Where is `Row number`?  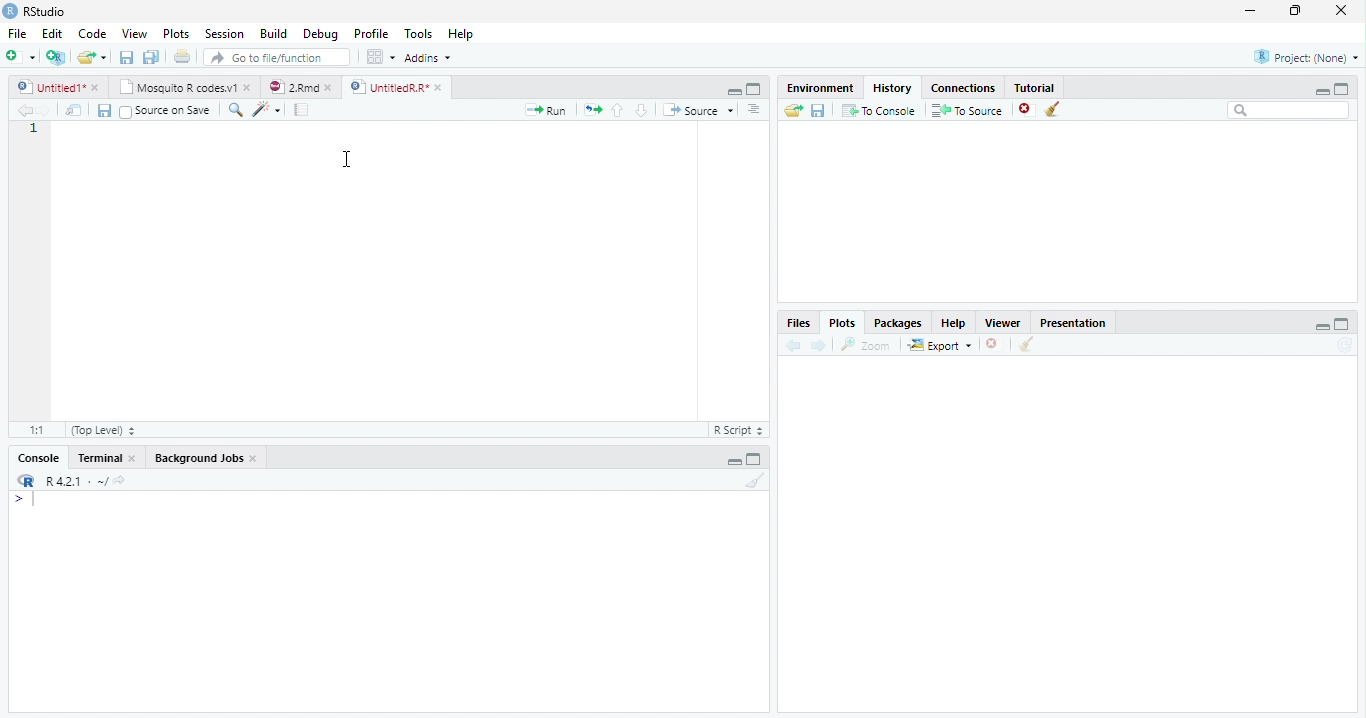 Row number is located at coordinates (32, 269).